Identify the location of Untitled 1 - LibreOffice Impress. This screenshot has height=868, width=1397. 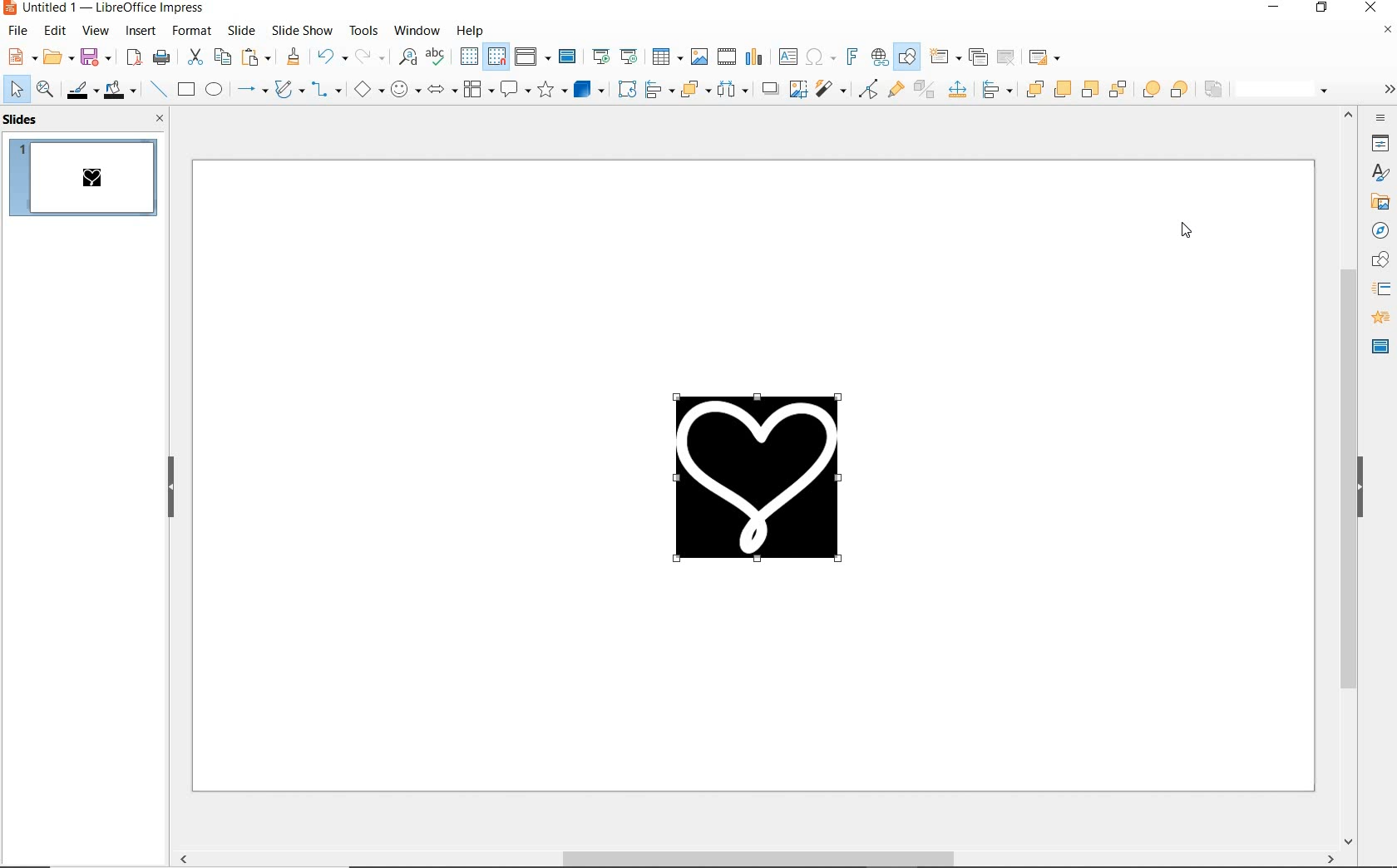
(106, 9).